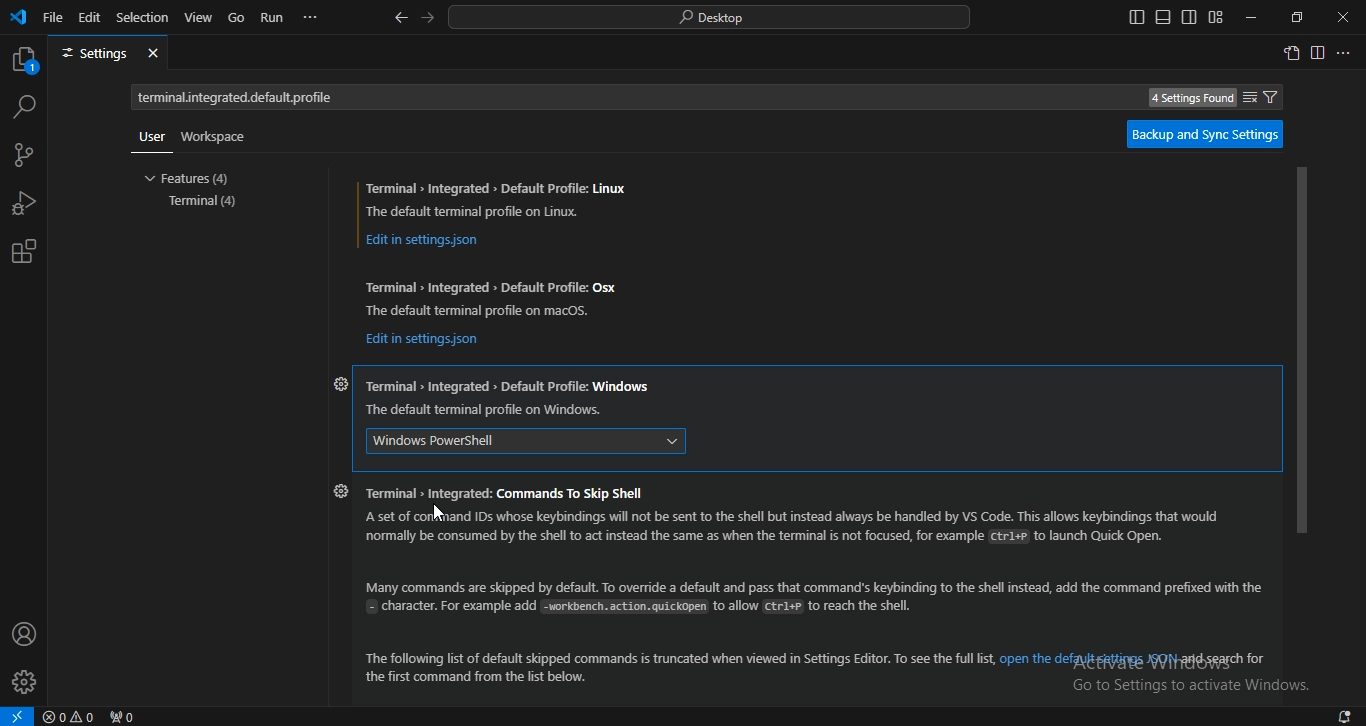  What do you see at coordinates (24, 683) in the screenshot?
I see `profile` at bounding box center [24, 683].